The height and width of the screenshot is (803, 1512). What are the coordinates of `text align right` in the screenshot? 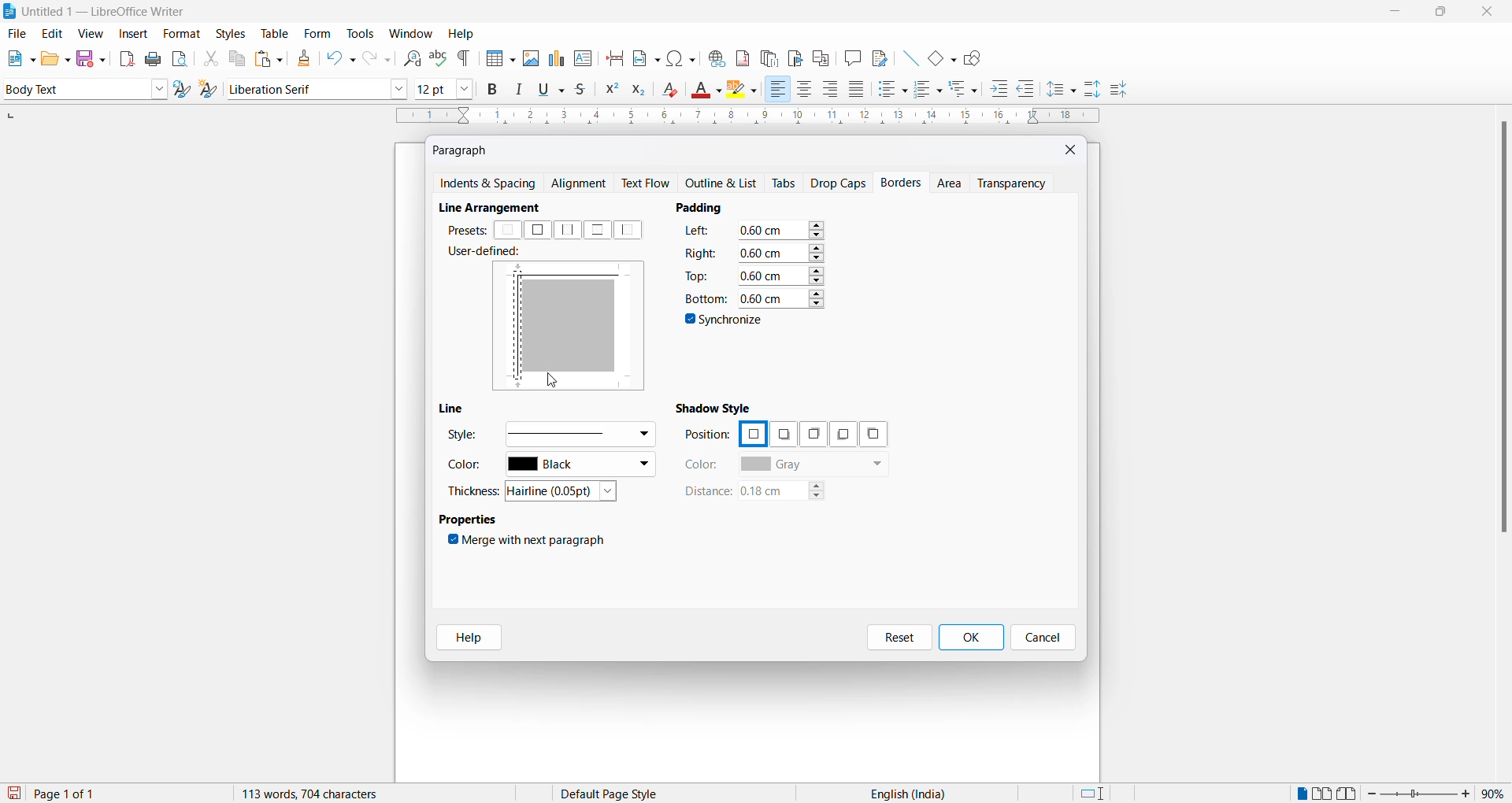 It's located at (833, 90).